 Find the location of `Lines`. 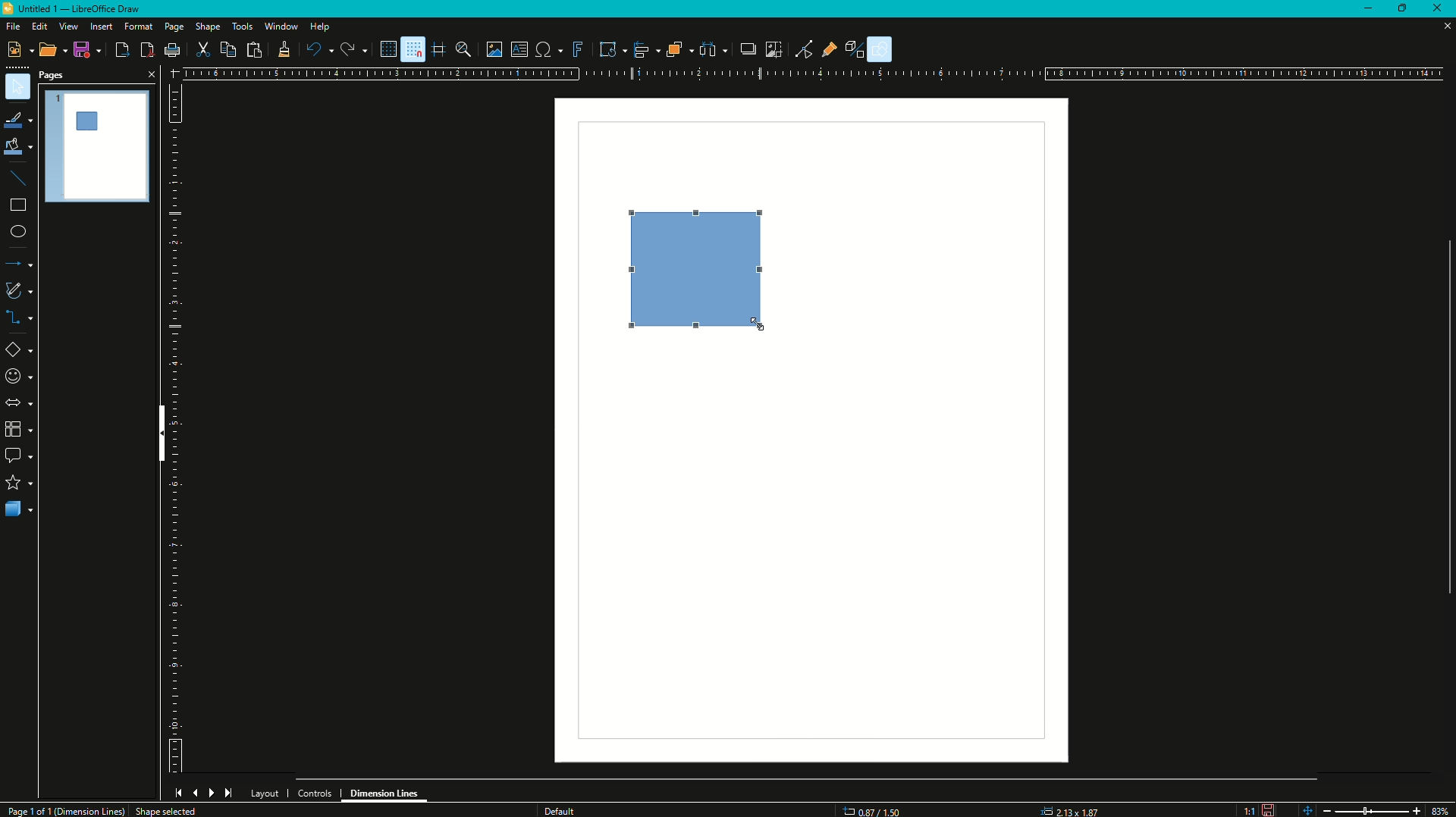

Lines is located at coordinates (19, 178).